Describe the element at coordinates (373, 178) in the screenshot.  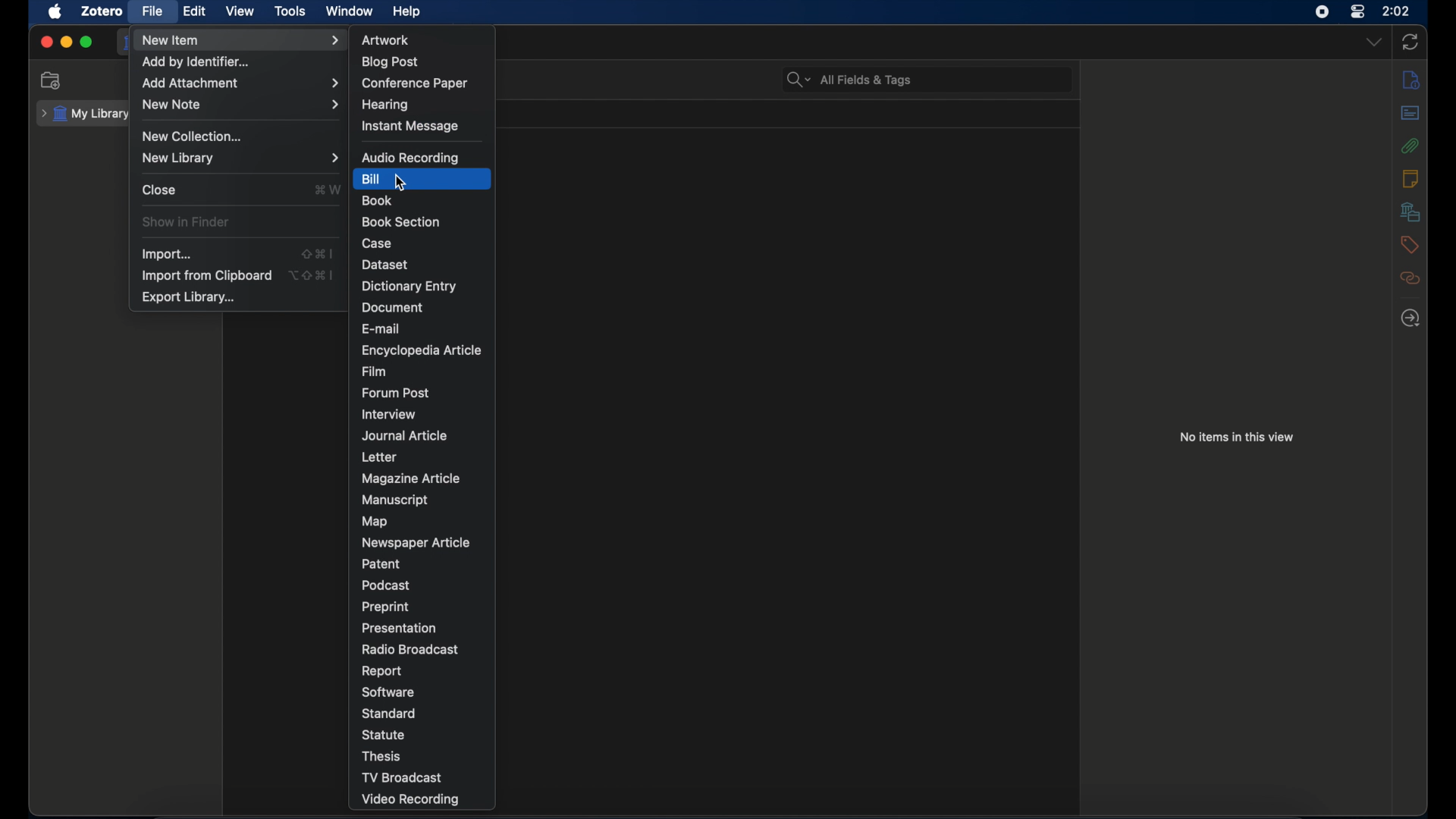
I see `bill` at that location.